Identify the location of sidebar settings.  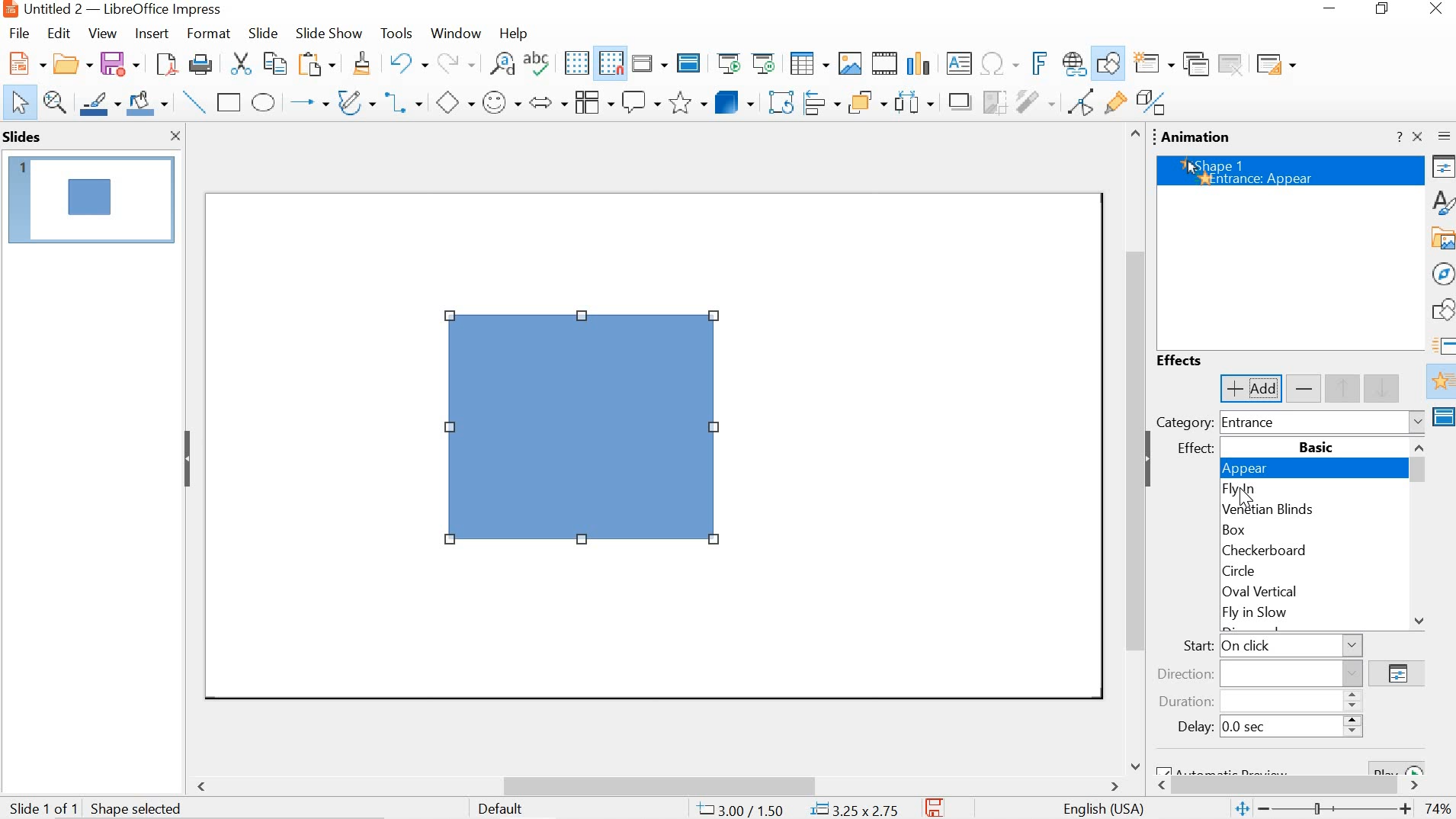
(1444, 136).